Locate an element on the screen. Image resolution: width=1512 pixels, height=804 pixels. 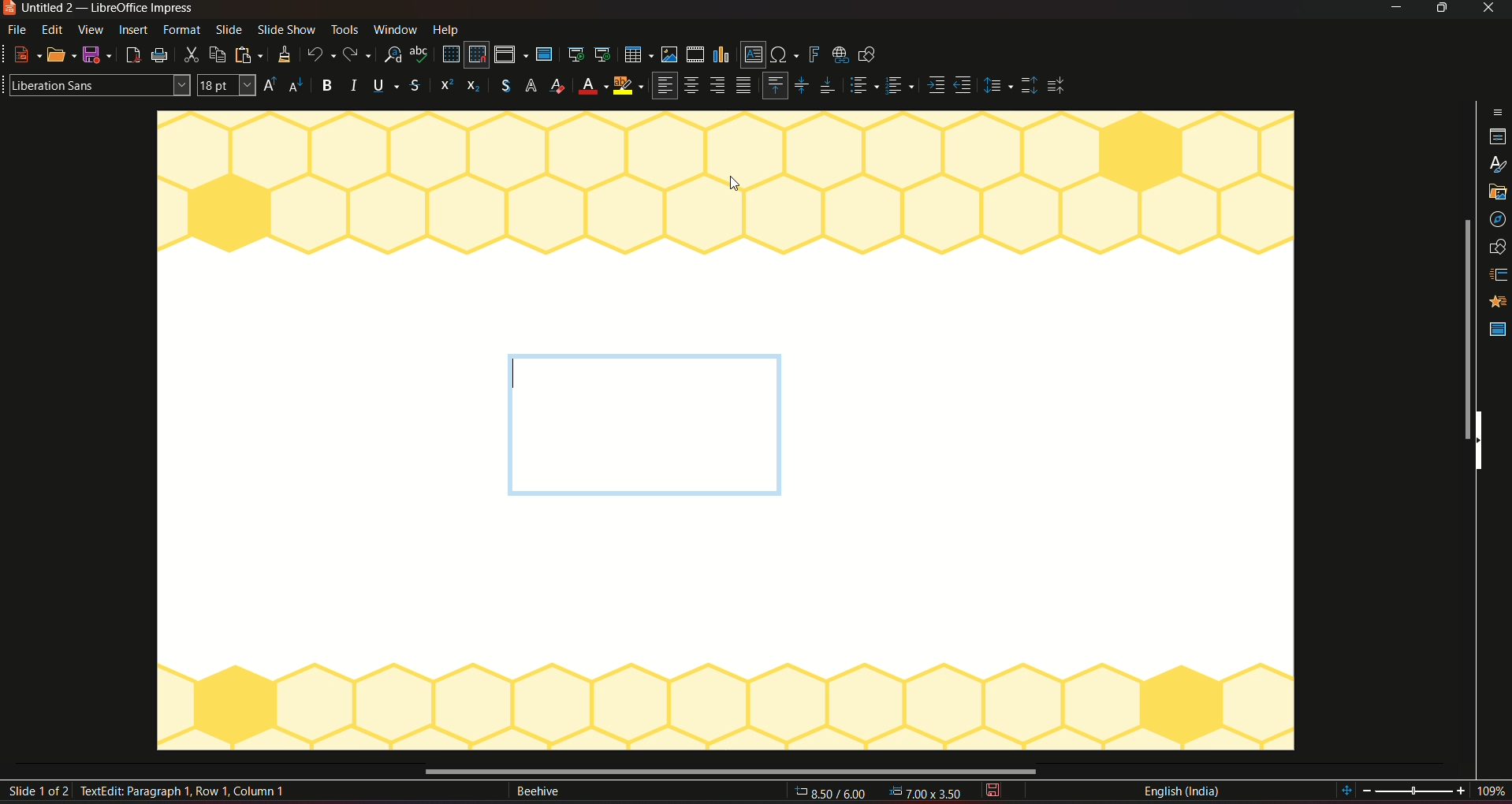
Background color is located at coordinates (590, 87).